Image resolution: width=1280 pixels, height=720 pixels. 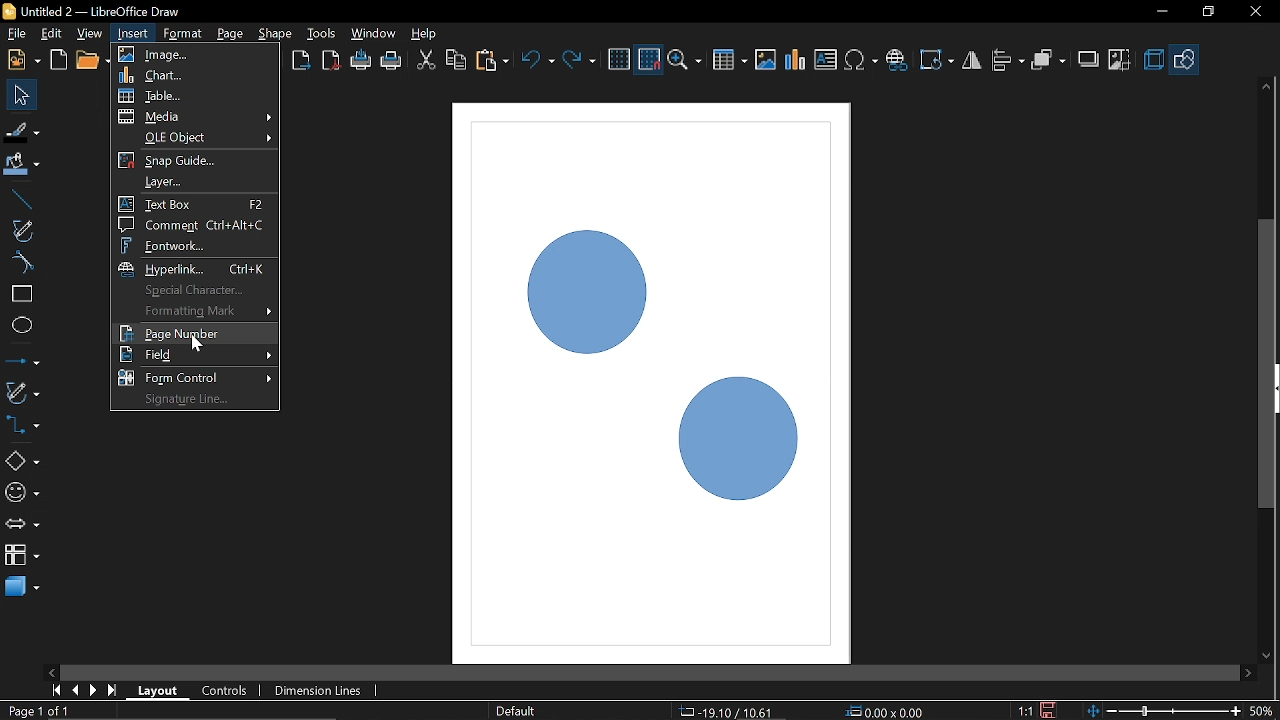 What do you see at coordinates (650, 673) in the screenshot?
I see `Horizontal scrollbar` at bounding box center [650, 673].